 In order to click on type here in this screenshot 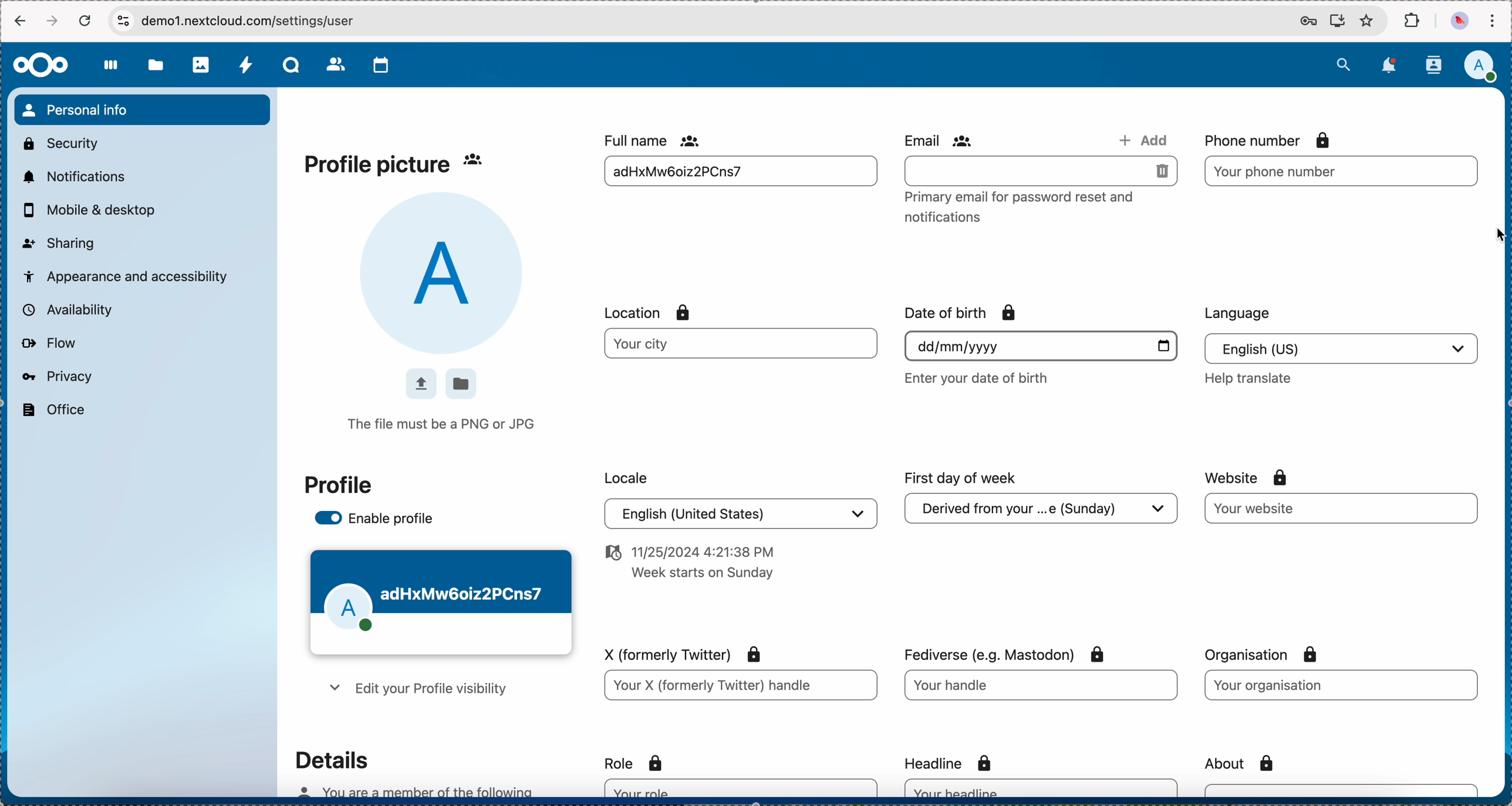, I will do `click(1041, 171)`.